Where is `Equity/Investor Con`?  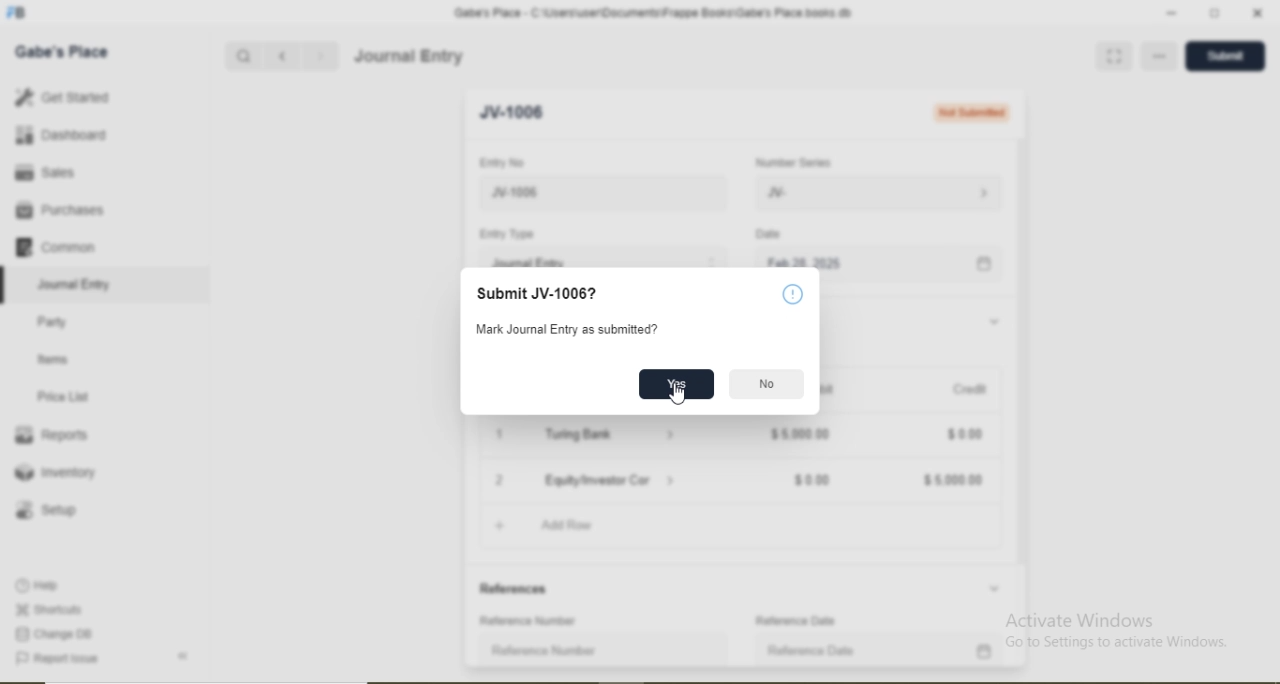 Equity/Investor Con is located at coordinates (600, 480).